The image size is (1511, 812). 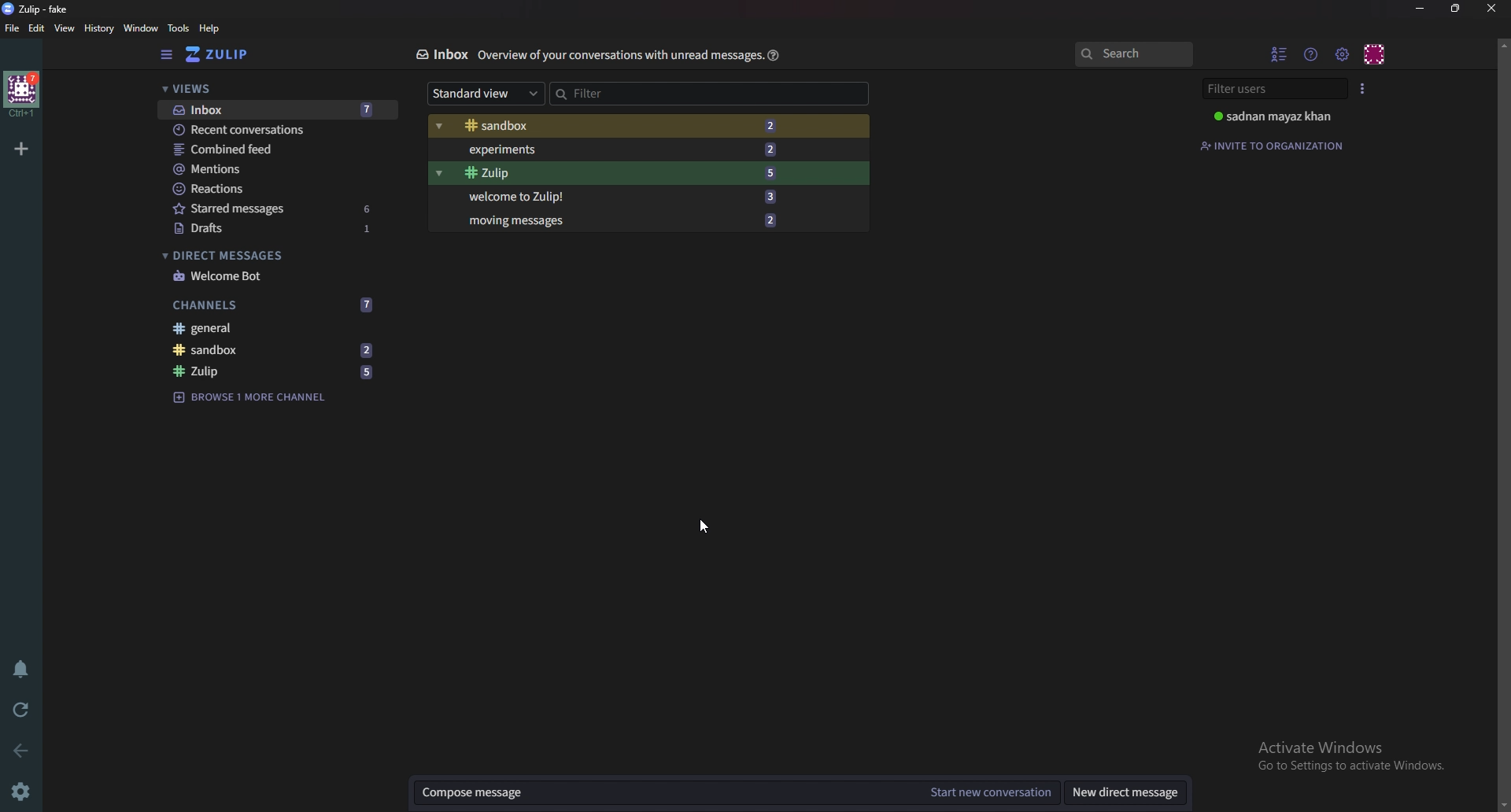 What do you see at coordinates (624, 219) in the screenshot?
I see `Moving messages` at bounding box center [624, 219].